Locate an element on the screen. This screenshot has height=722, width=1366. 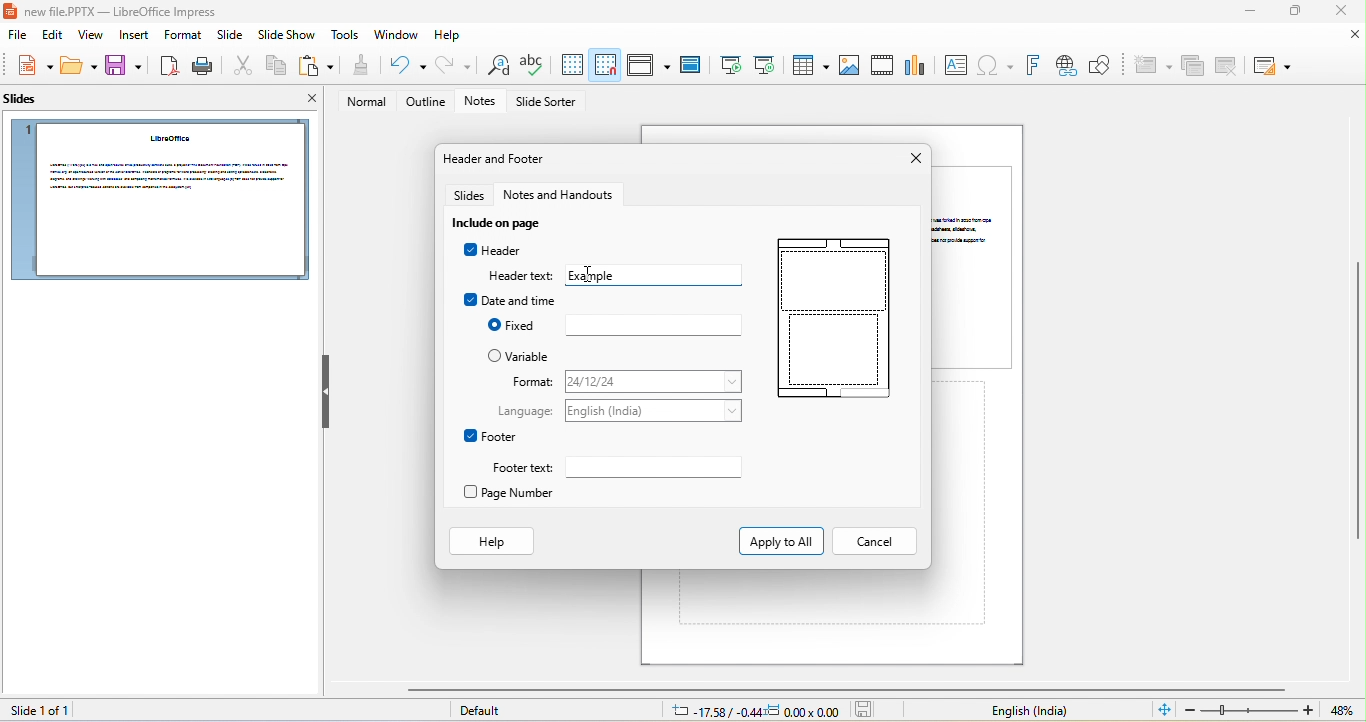
click here to add notes is located at coordinates (962, 504).